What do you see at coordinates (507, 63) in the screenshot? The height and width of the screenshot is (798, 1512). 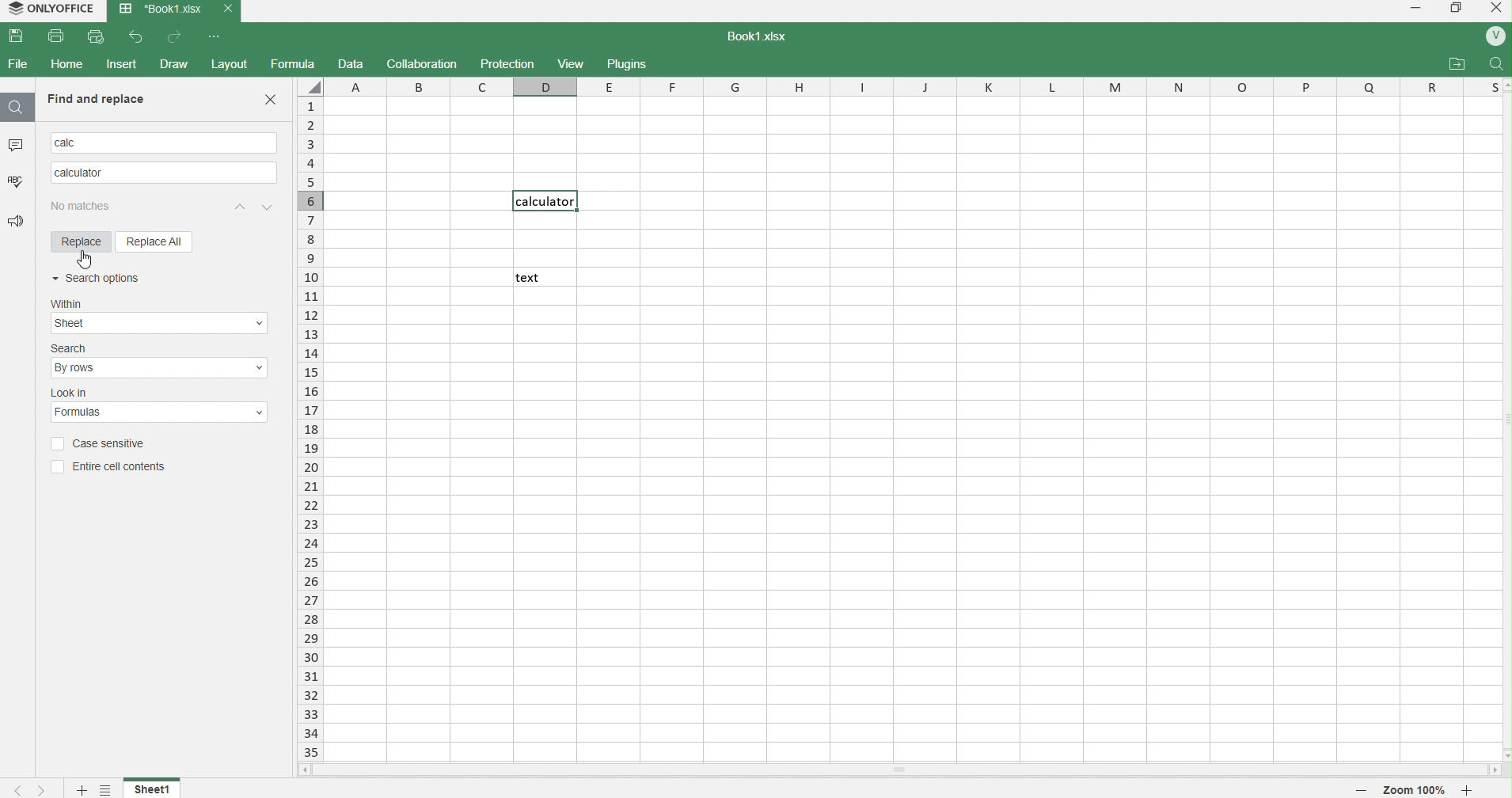 I see `protection` at bounding box center [507, 63].